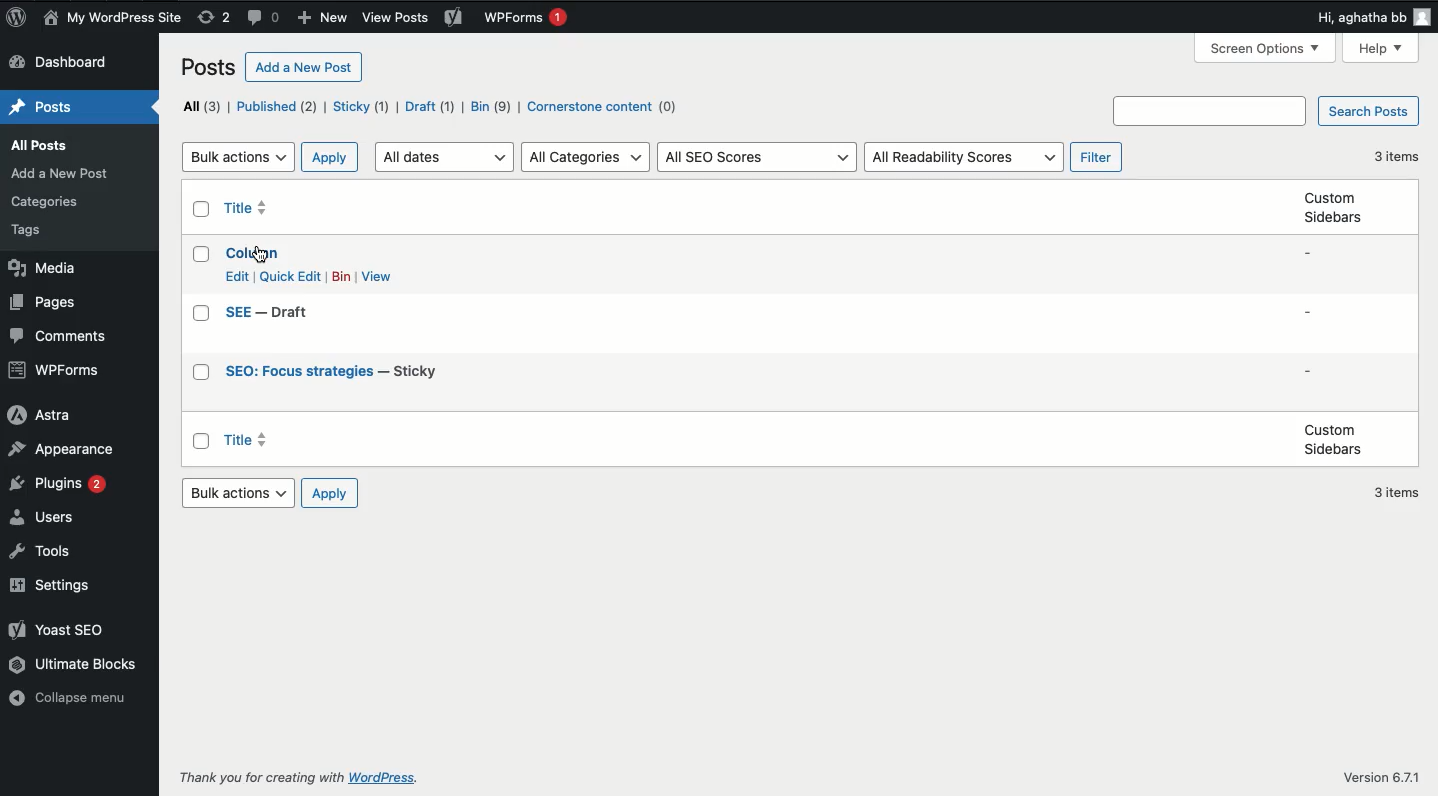 Image resolution: width=1438 pixels, height=796 pixels. Describe the element at coordinates (323, 18) in the screenshot. I see `Add new` at that location.